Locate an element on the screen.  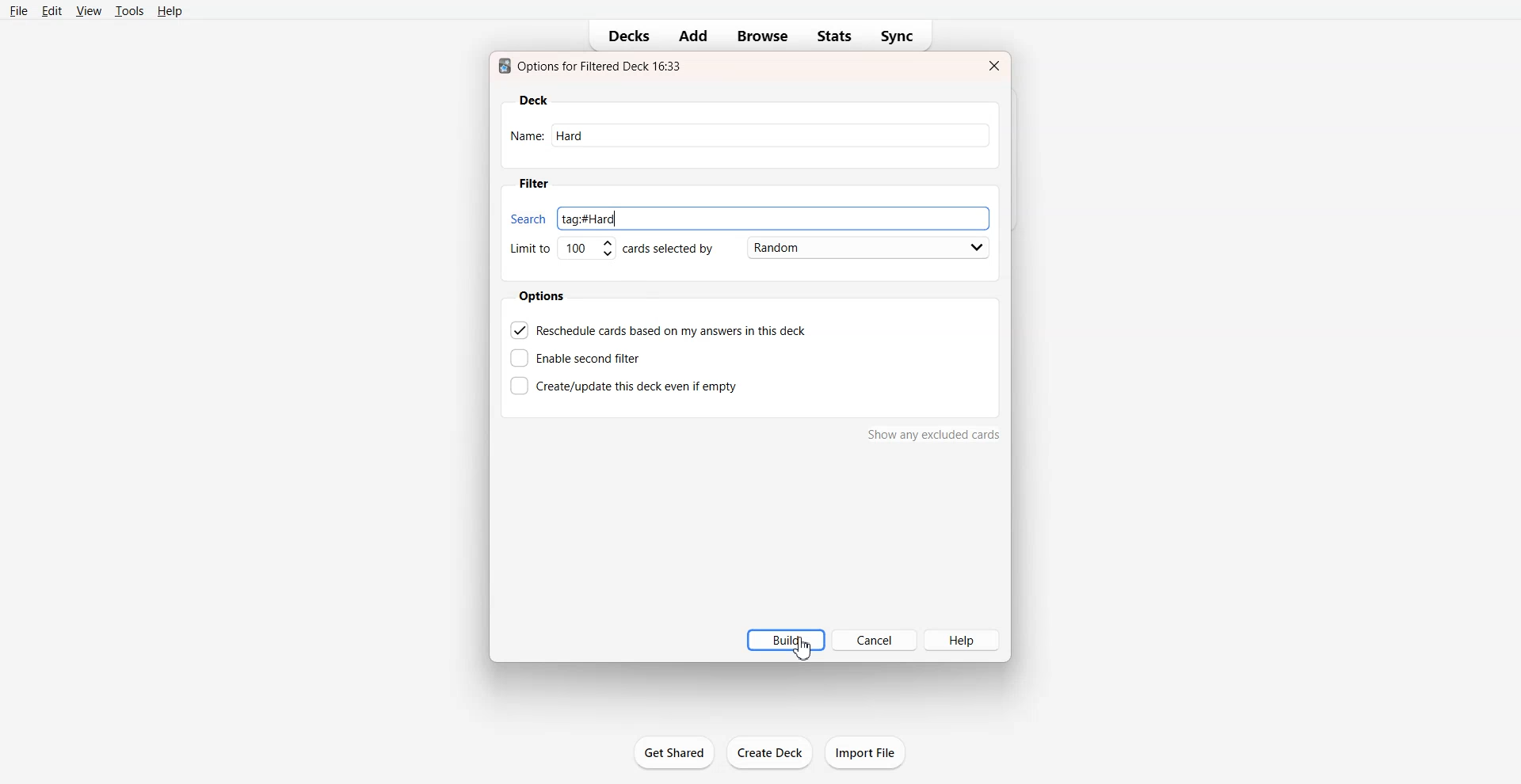
import file is located at coordinates (871, 752).